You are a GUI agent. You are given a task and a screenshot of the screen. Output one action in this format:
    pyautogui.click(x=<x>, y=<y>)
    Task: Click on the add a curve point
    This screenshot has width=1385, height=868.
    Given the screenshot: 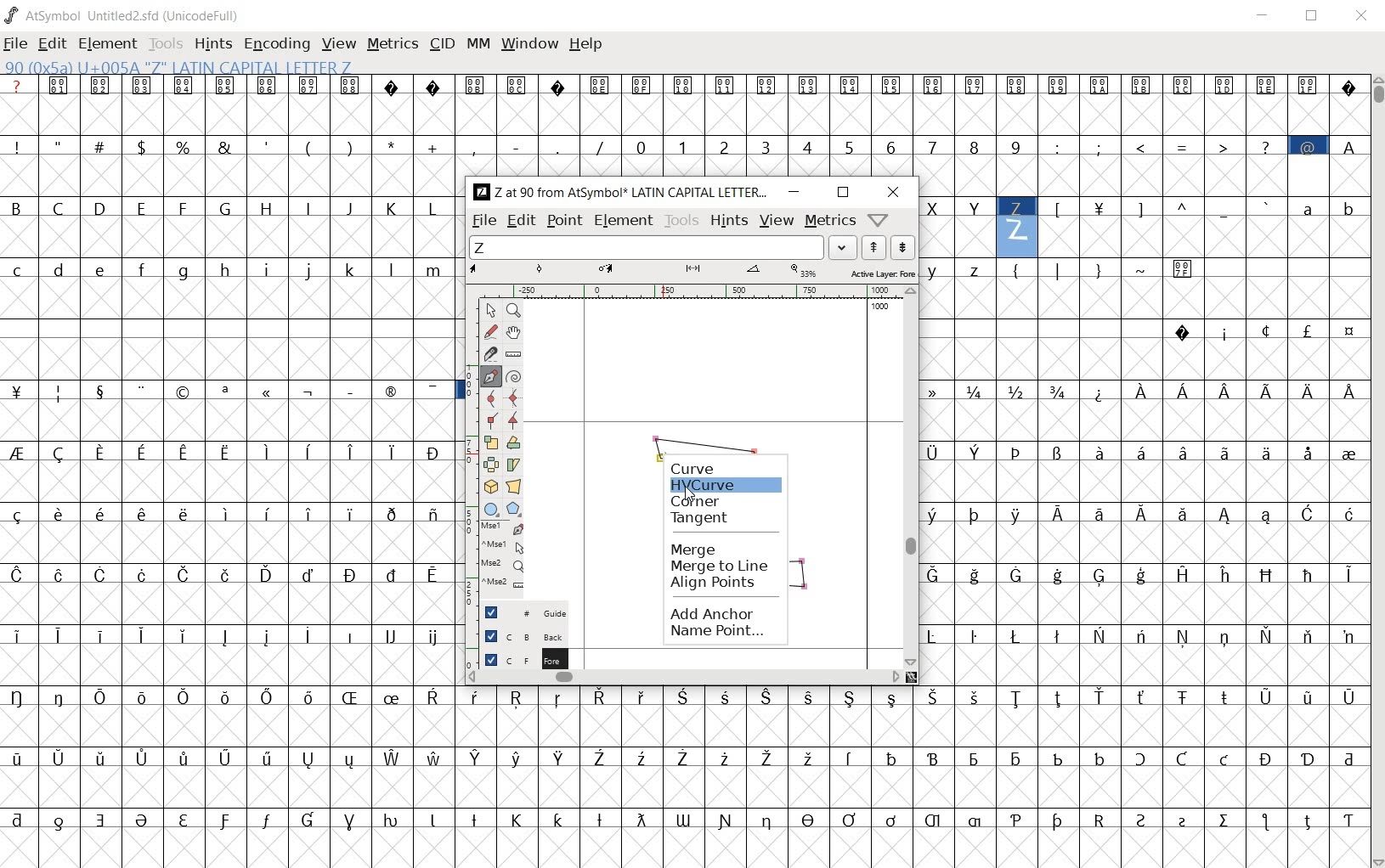 What is the action you would take?
    pyautogui.click(x=489, y=398)
    